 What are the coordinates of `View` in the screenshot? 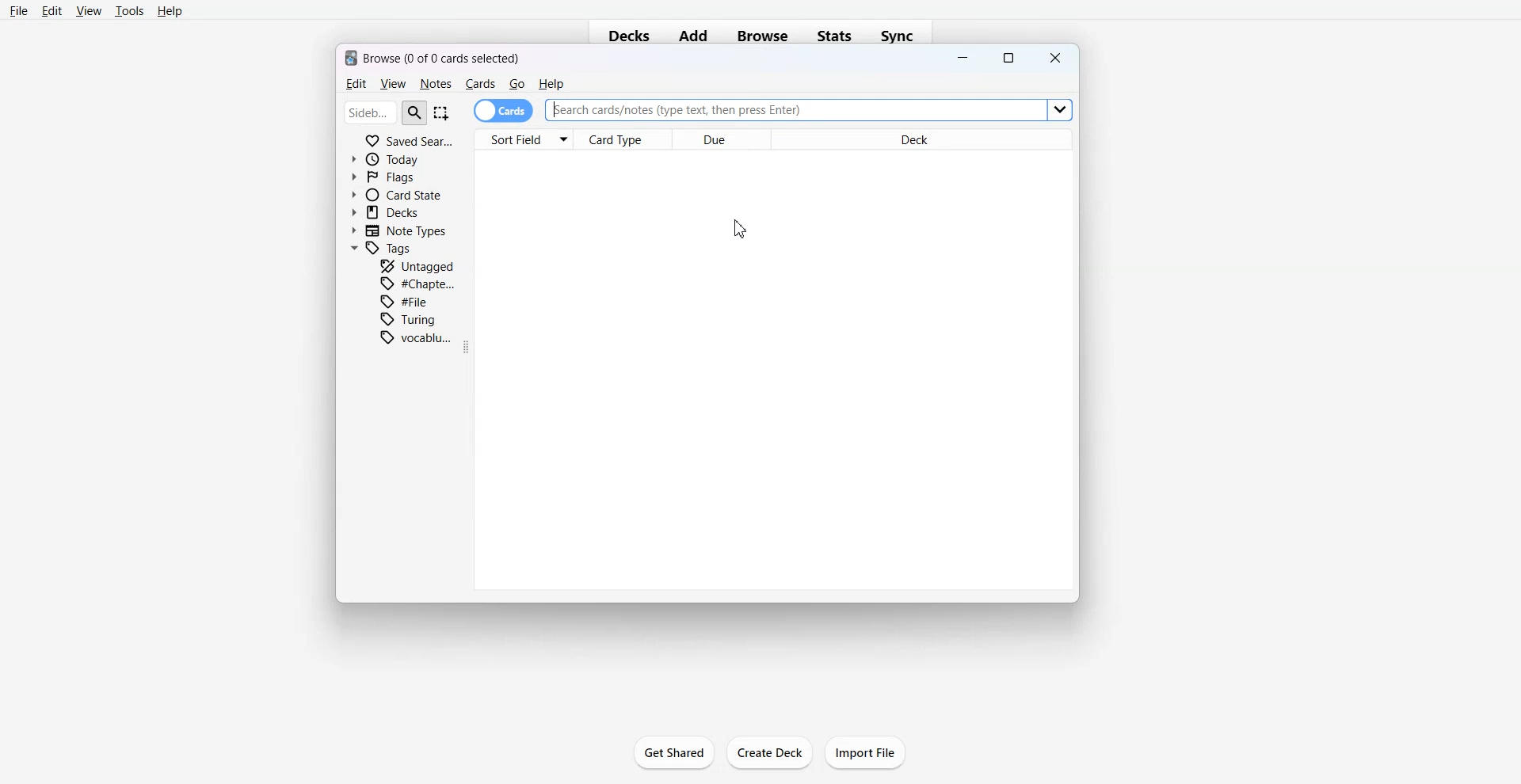 It's located at (392, 84).